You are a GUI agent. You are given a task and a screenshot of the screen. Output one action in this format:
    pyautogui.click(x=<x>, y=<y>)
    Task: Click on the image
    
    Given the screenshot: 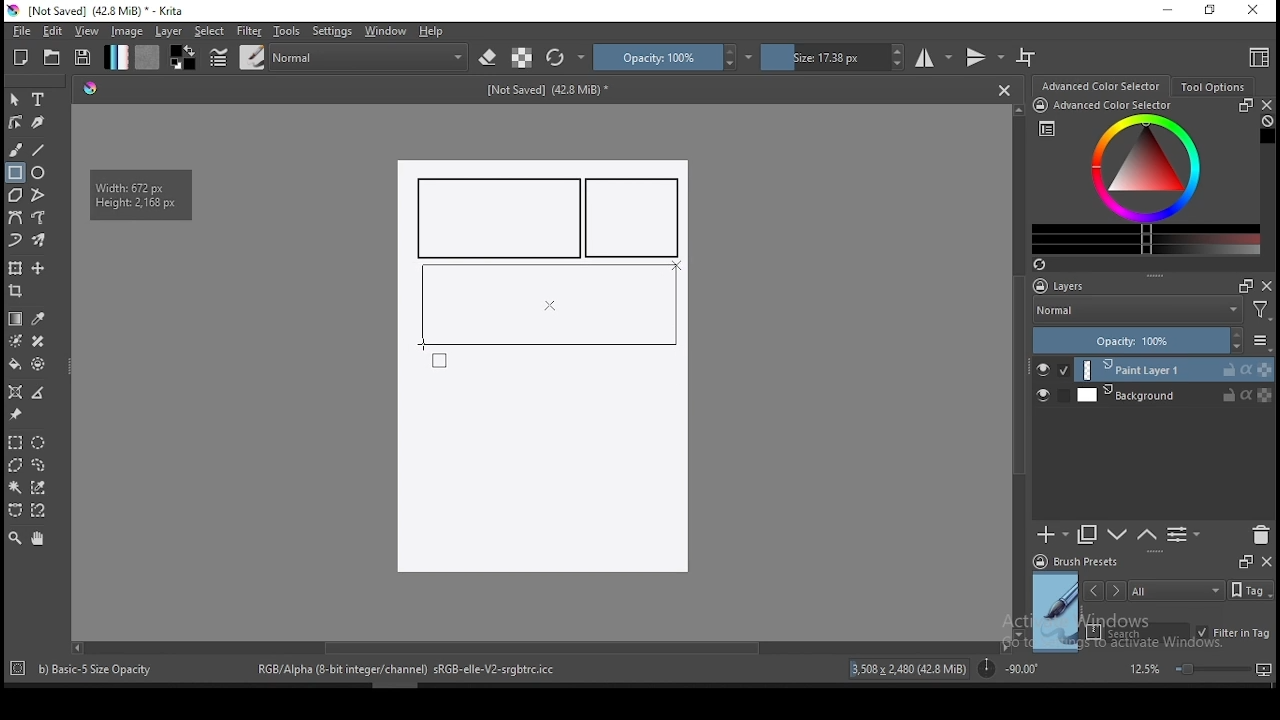 What is the action you would take?
    pyautogui.click(x=126, y=31)
    